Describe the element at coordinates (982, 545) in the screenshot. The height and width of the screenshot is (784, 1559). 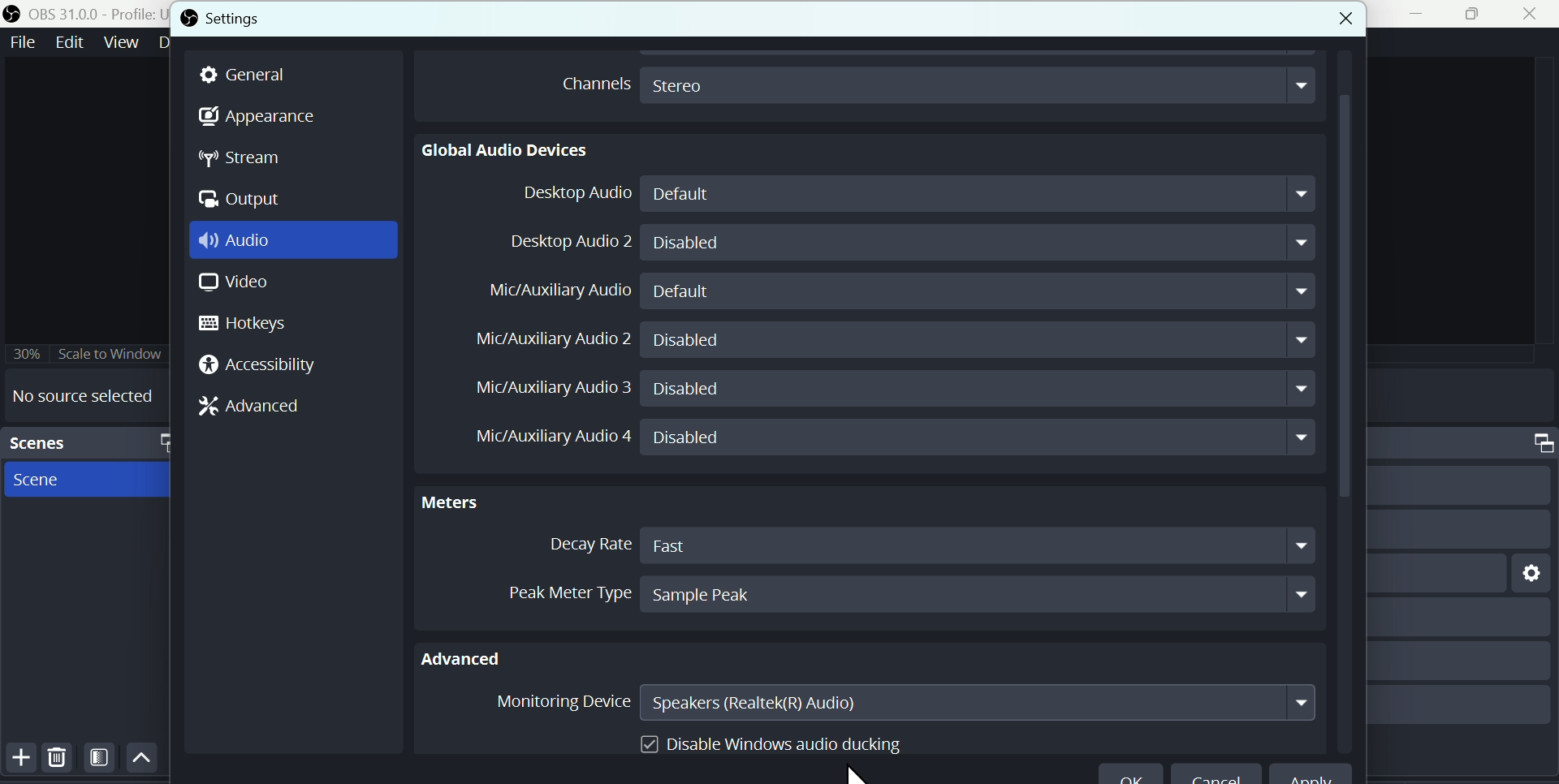
I see `Fast` at that location.